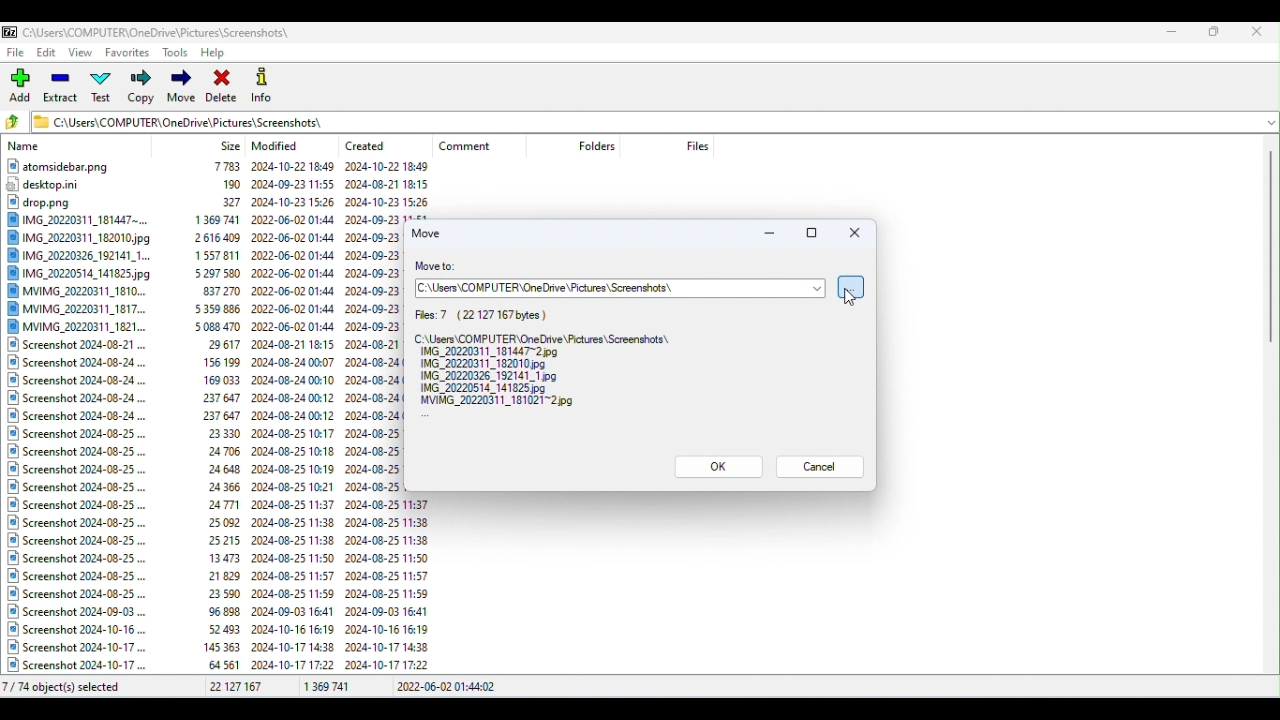 The width and height of the screenshot is (1280, 720). I want to click on File address bar, so click(643, 120).